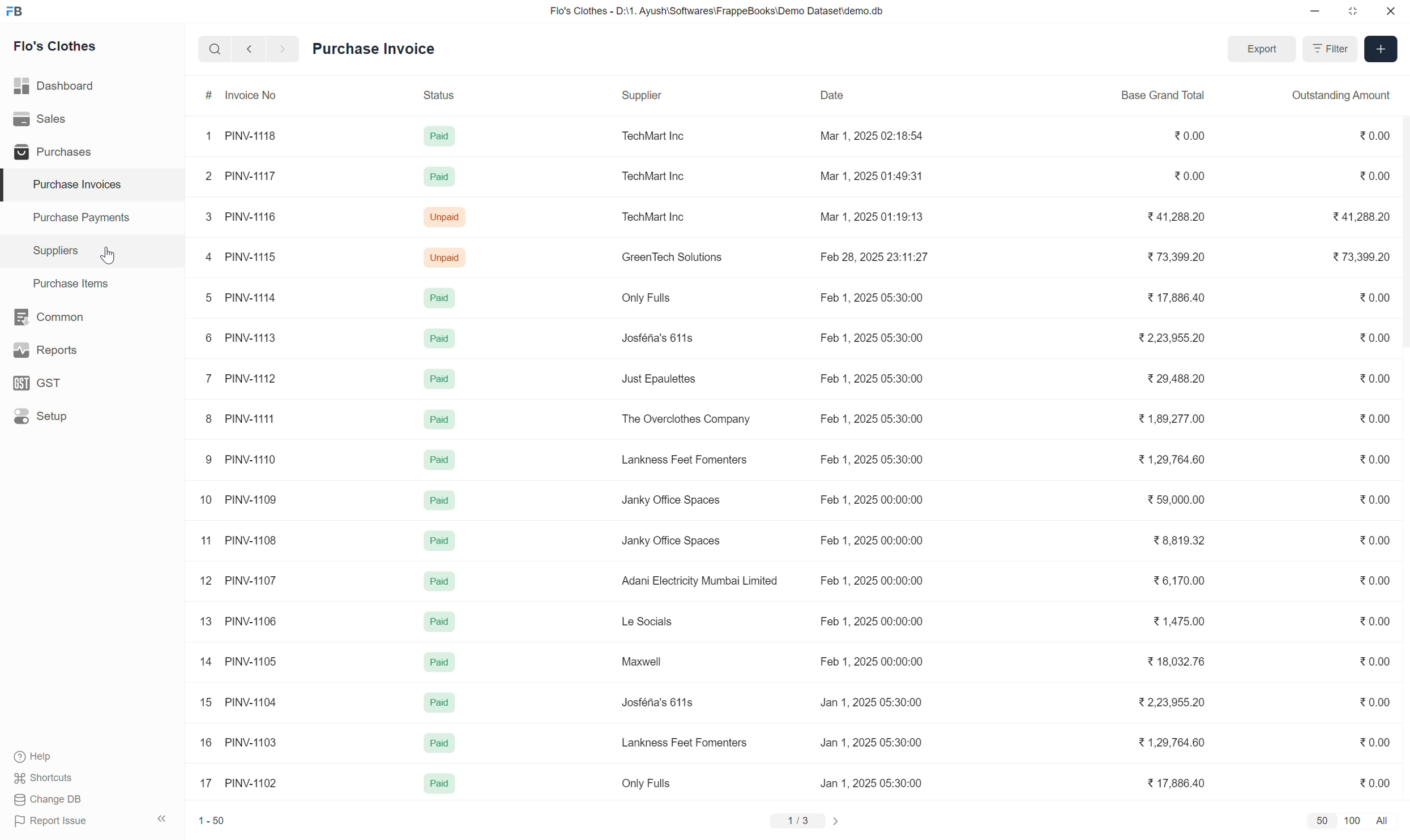  I want to click on 10 PINV-1109, so click(240, 497).